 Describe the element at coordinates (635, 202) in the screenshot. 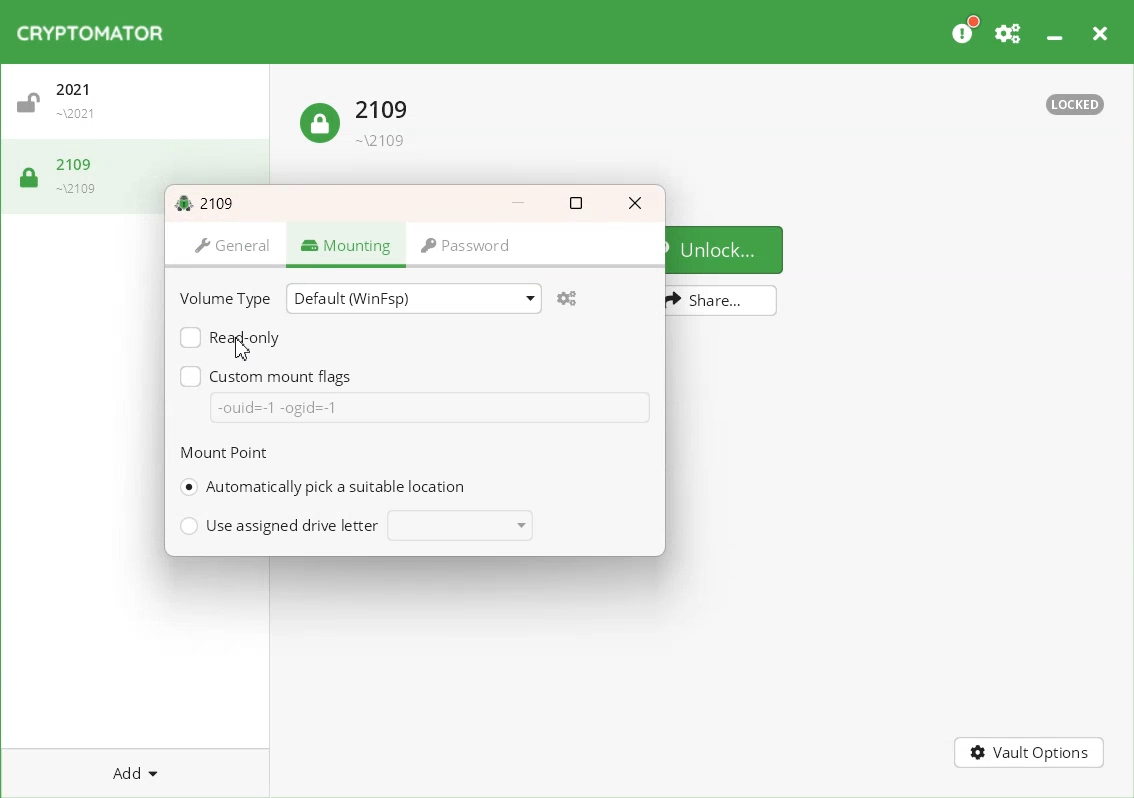

I see `Close` at that location.